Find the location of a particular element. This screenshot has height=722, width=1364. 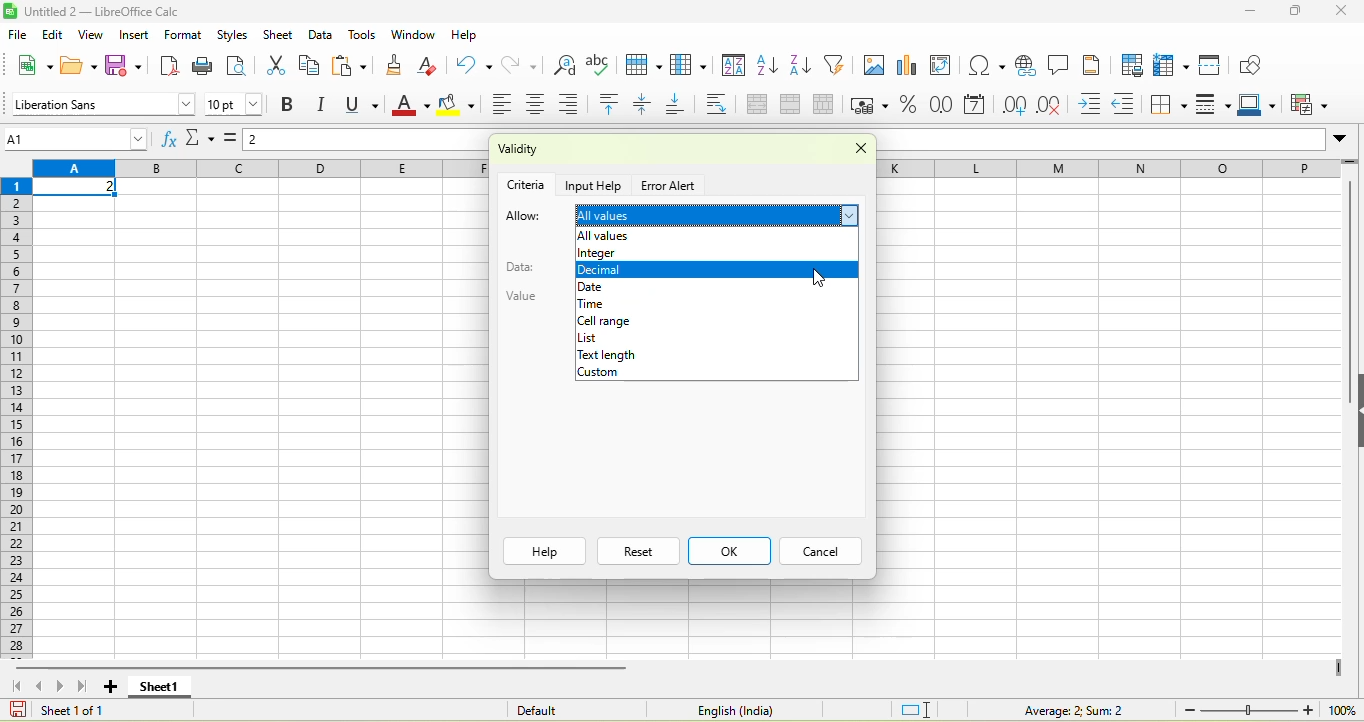

file is located at coordinates (16, 34).